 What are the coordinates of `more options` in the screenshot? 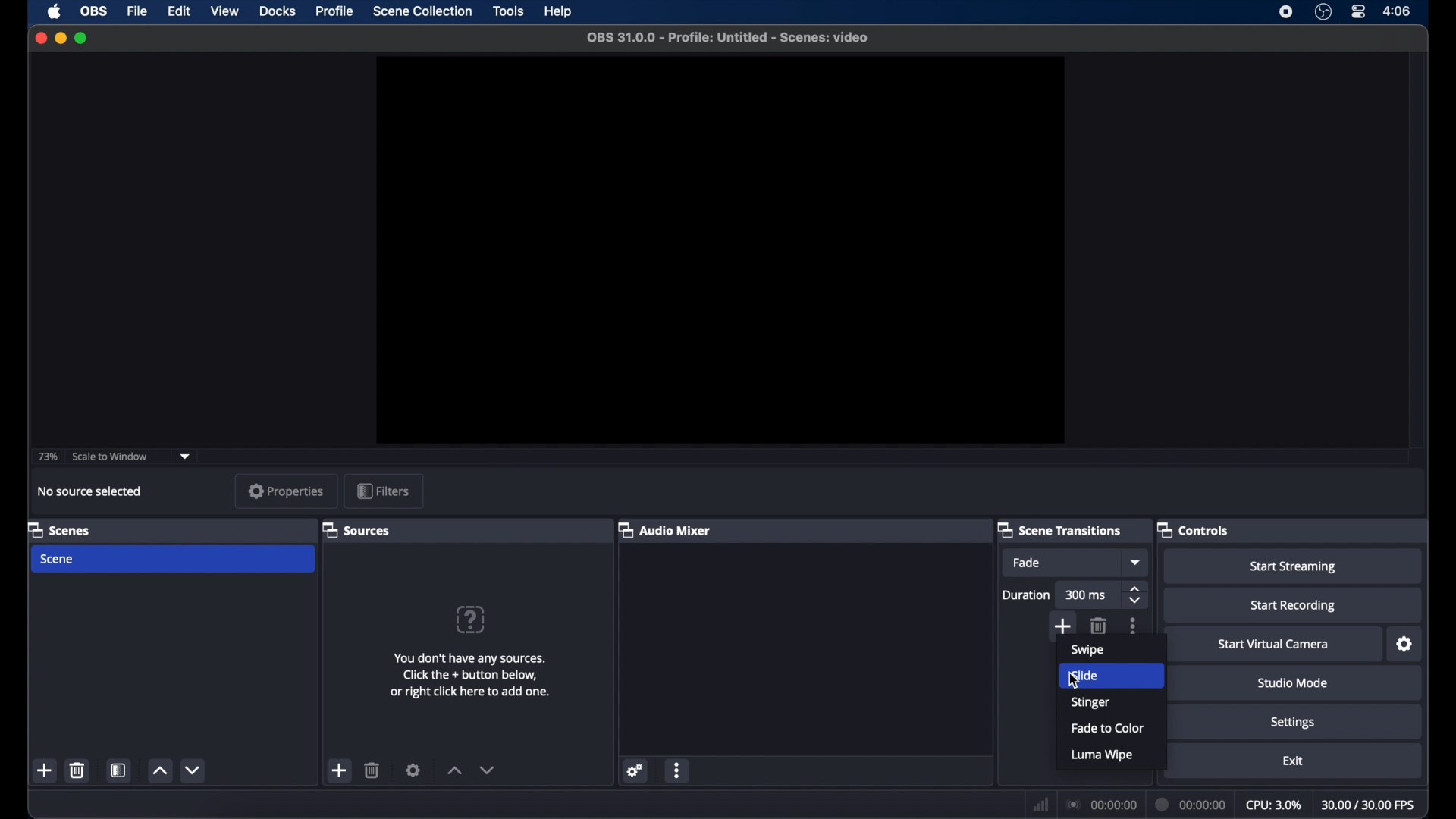 It's located at (678, 770).